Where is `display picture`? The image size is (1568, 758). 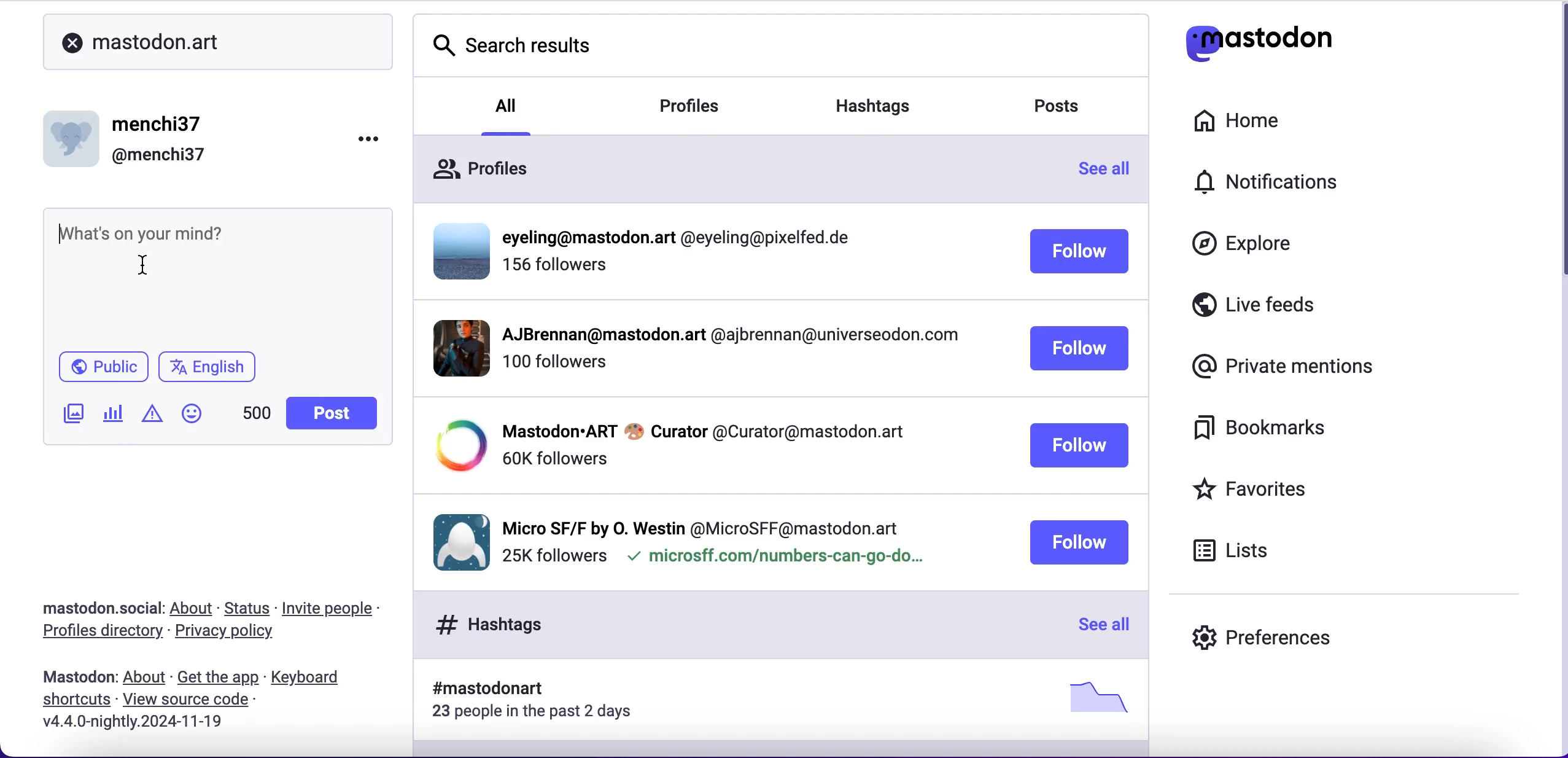 display picture is located at coordinates (456, 540).